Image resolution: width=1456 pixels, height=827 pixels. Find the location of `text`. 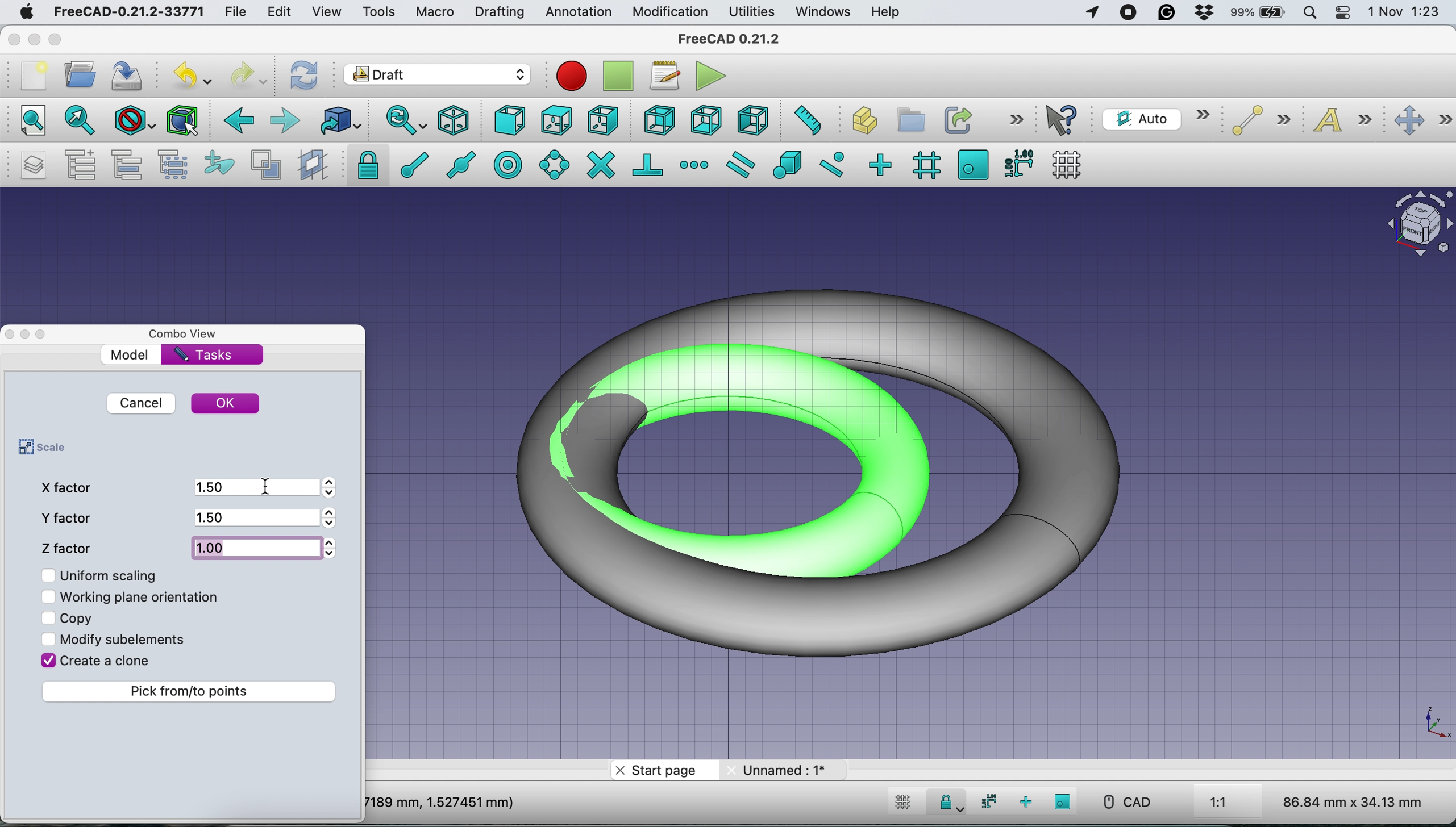

text is located at coordinates (1345, 122).